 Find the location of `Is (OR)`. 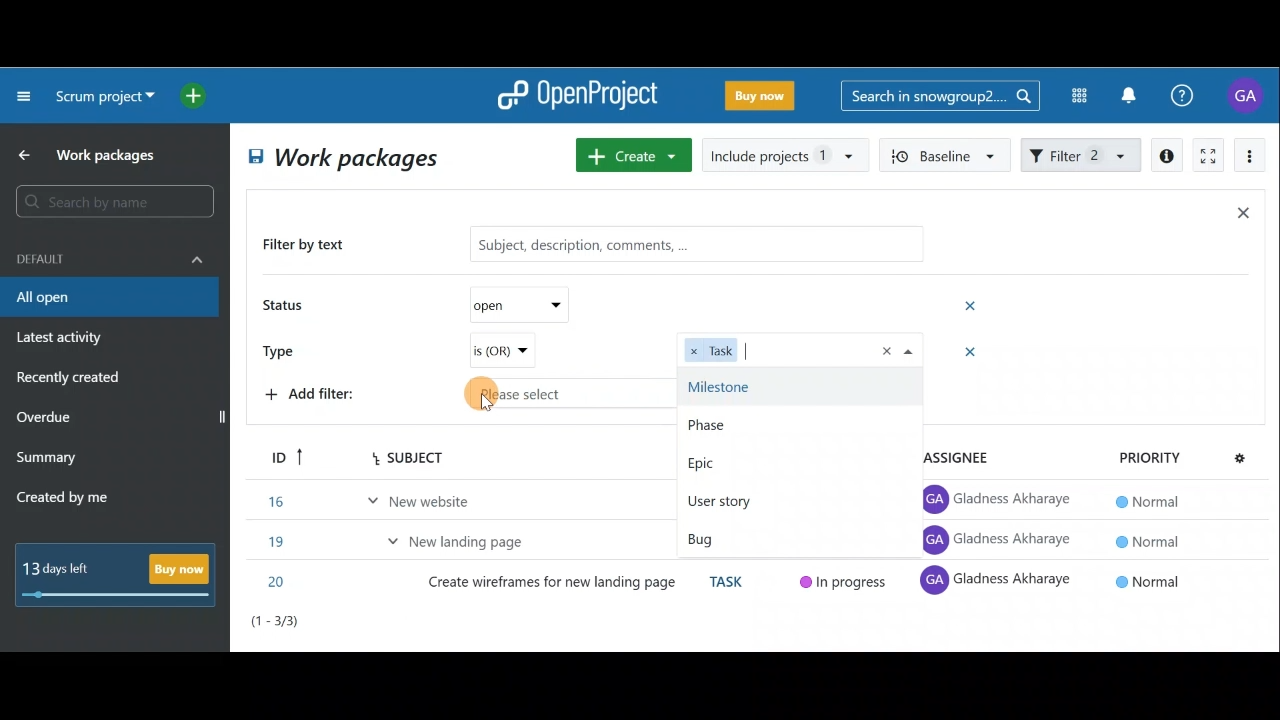

Is (OR) is located at coordinates (501, 351).